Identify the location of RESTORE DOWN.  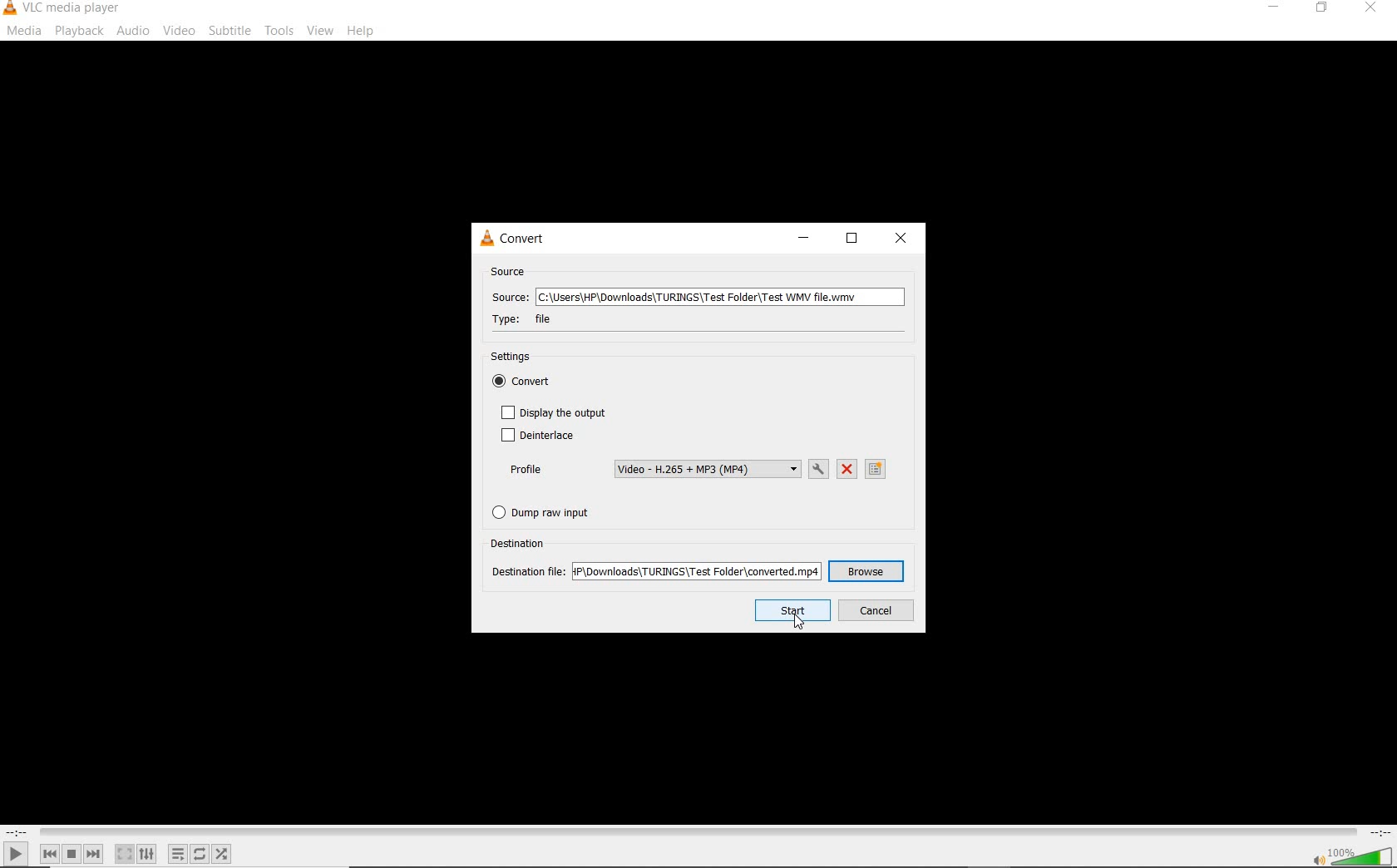
(852, 240).